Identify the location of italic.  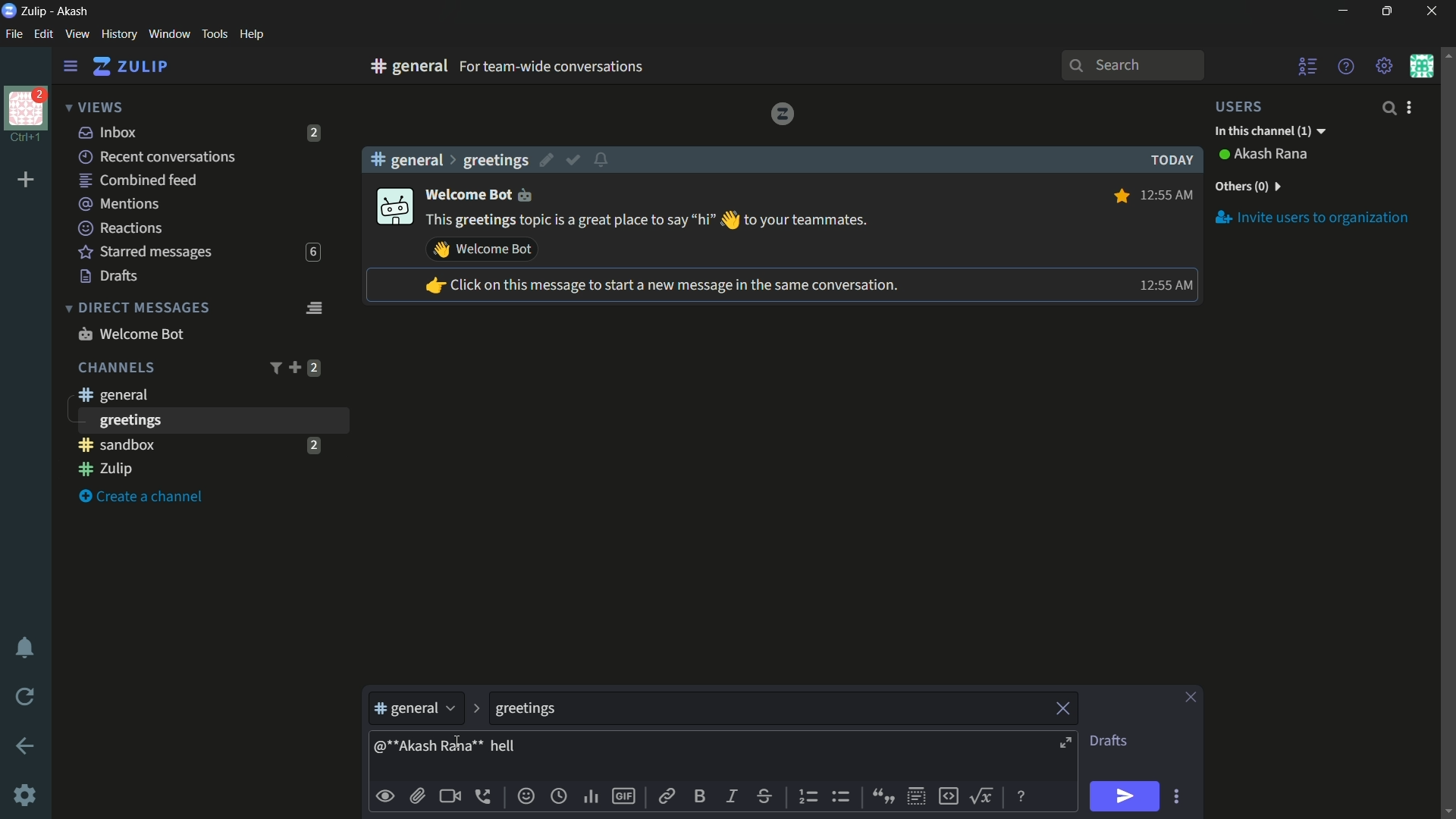
(730, 795).